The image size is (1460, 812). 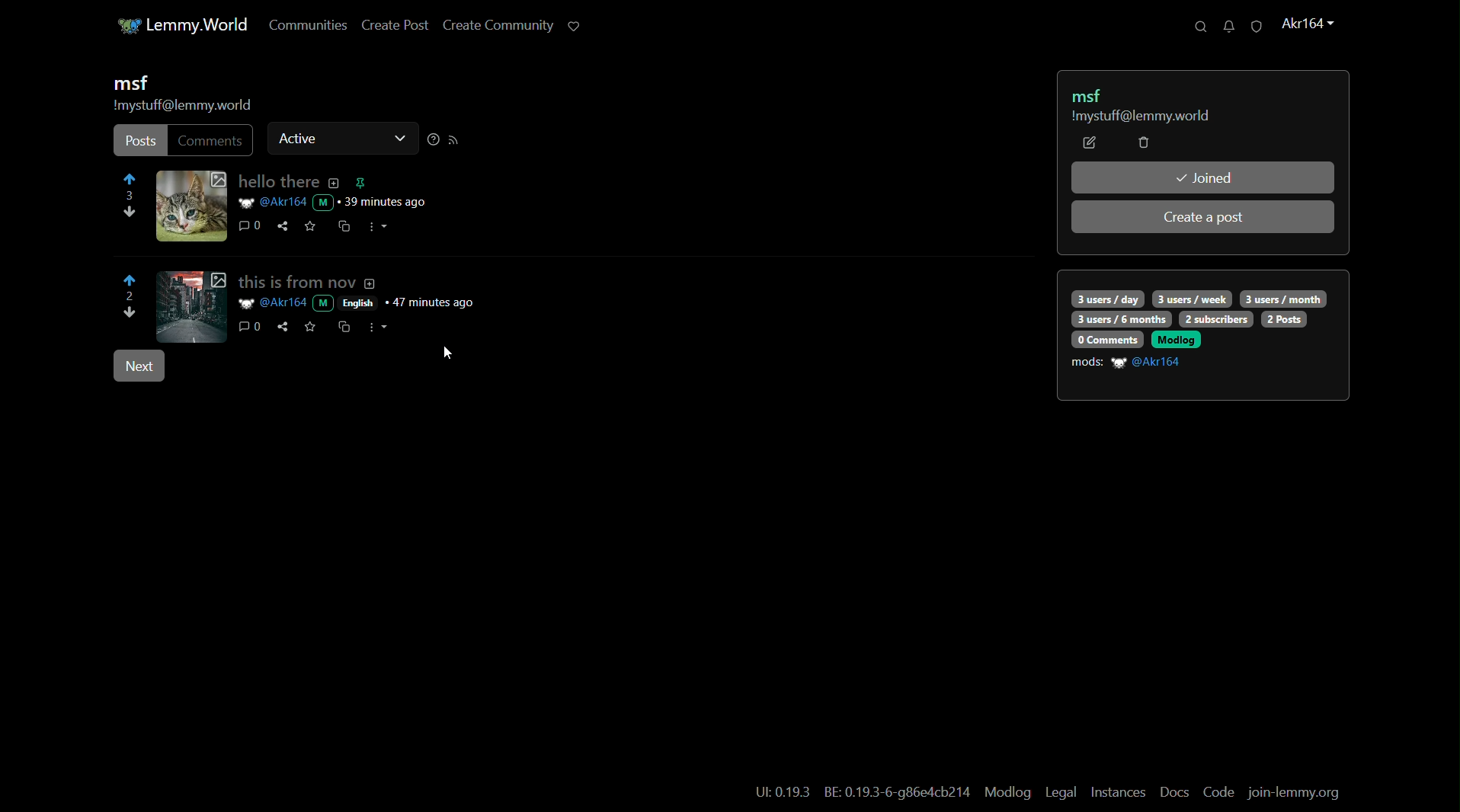 I want to click on docs, so click(x=1175, y=792).